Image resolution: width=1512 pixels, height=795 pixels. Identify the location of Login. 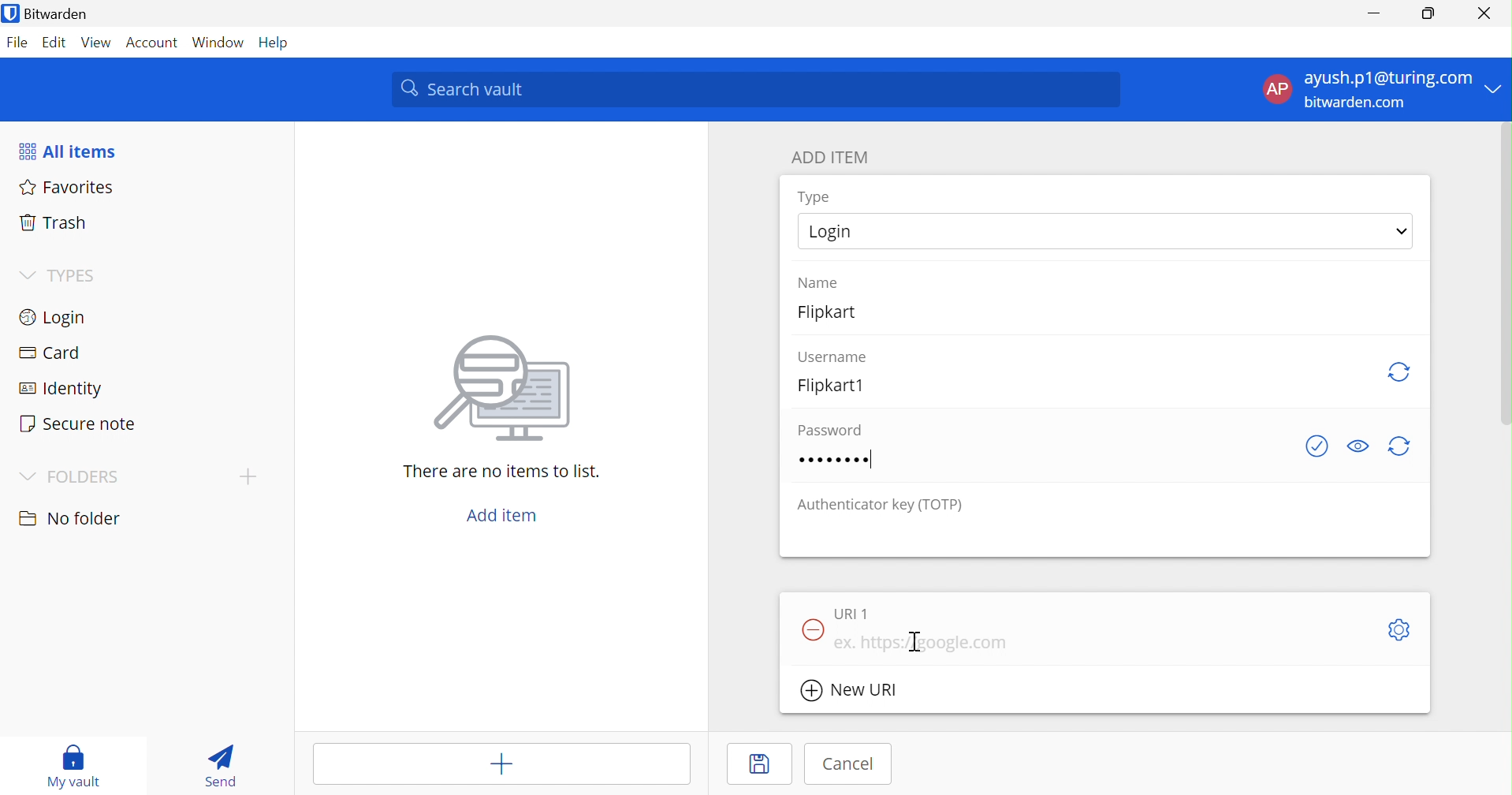
(56, 319).